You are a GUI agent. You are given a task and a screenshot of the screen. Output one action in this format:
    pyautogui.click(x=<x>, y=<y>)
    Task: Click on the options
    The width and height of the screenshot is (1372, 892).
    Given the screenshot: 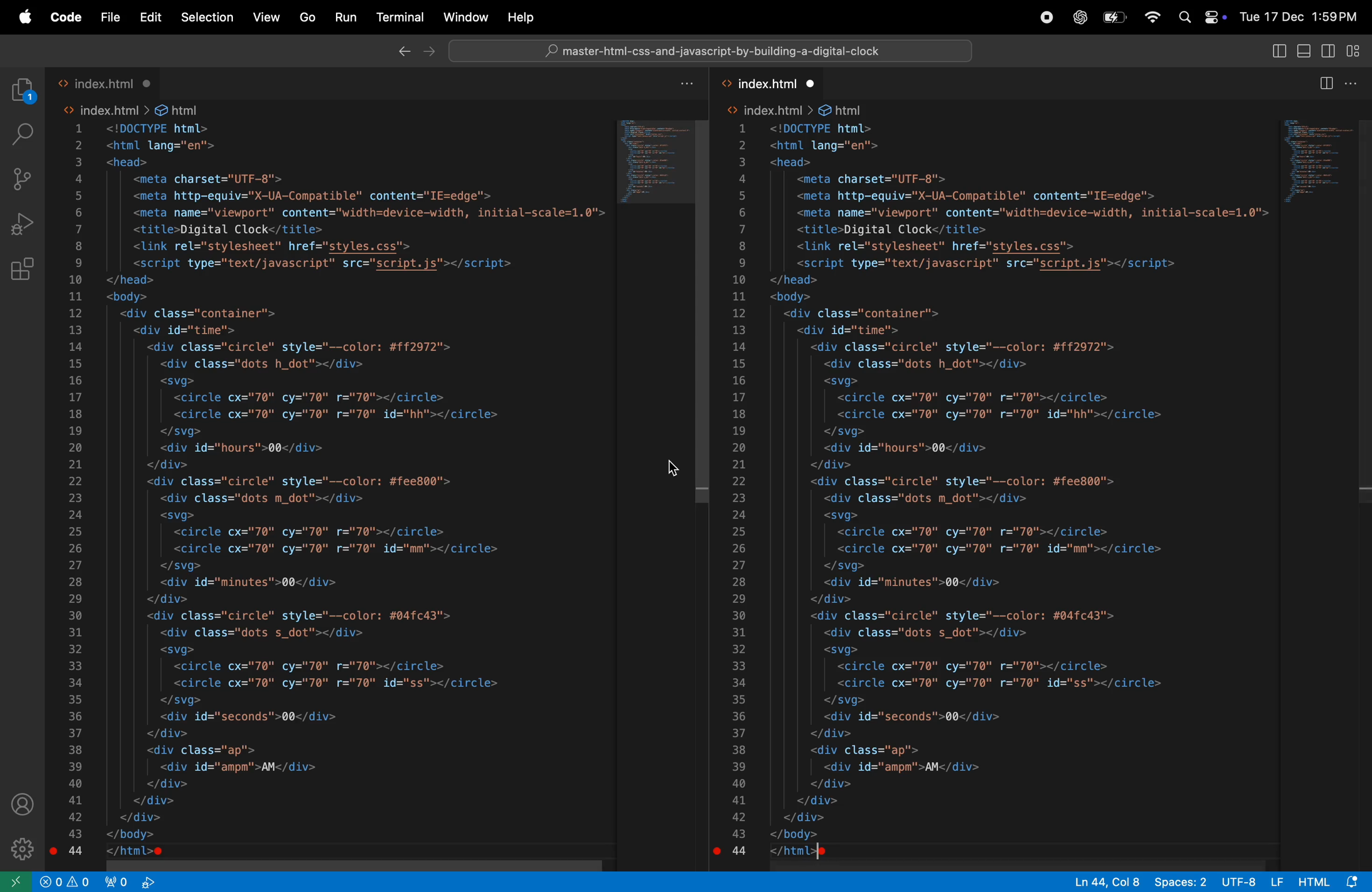 What is the action you would take?
    pyautogui.click(x=1354, y=86)
    